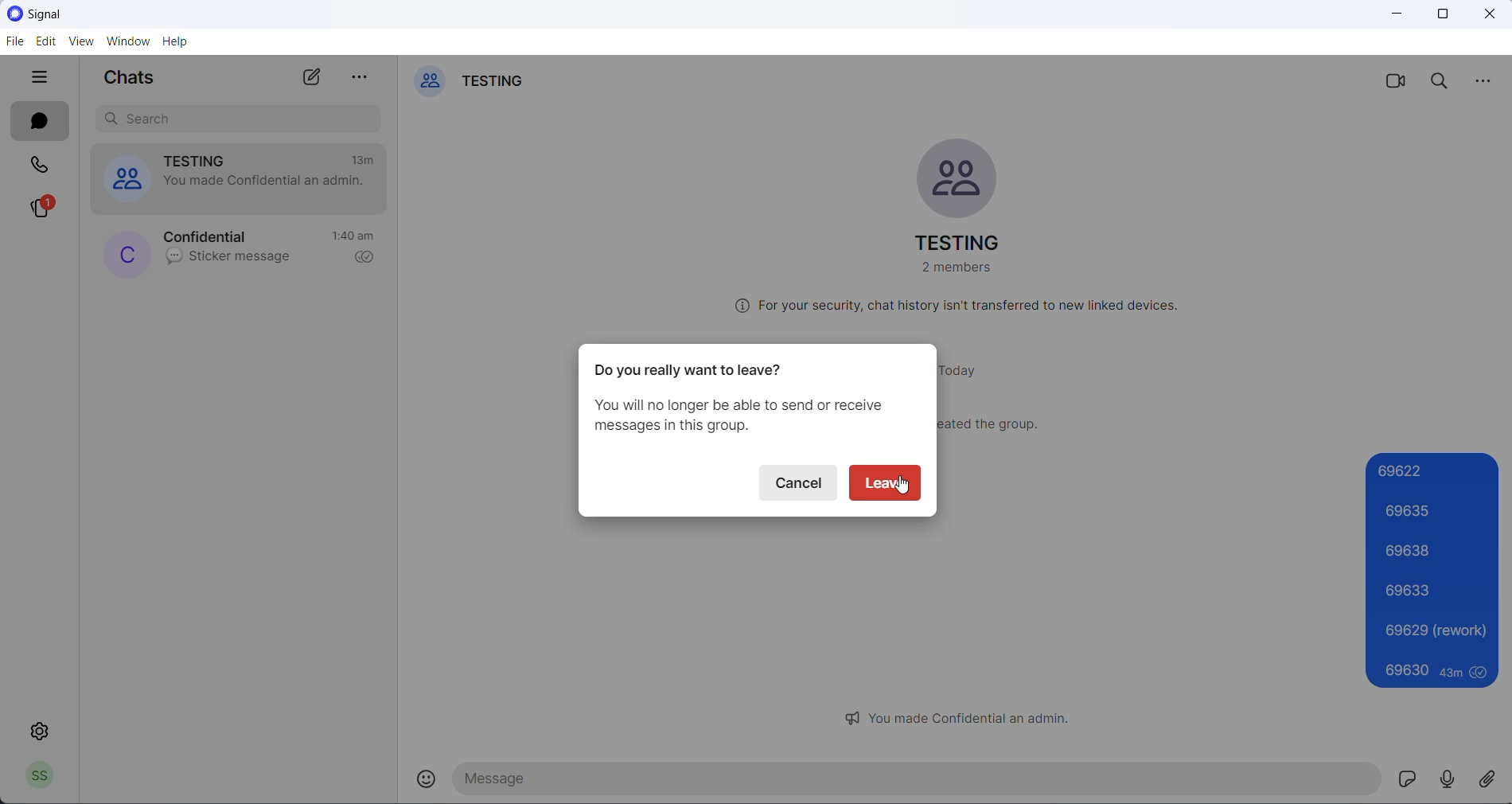  I want to click on You will no longer be able to send or receive messages in this group., so click(738, 418).